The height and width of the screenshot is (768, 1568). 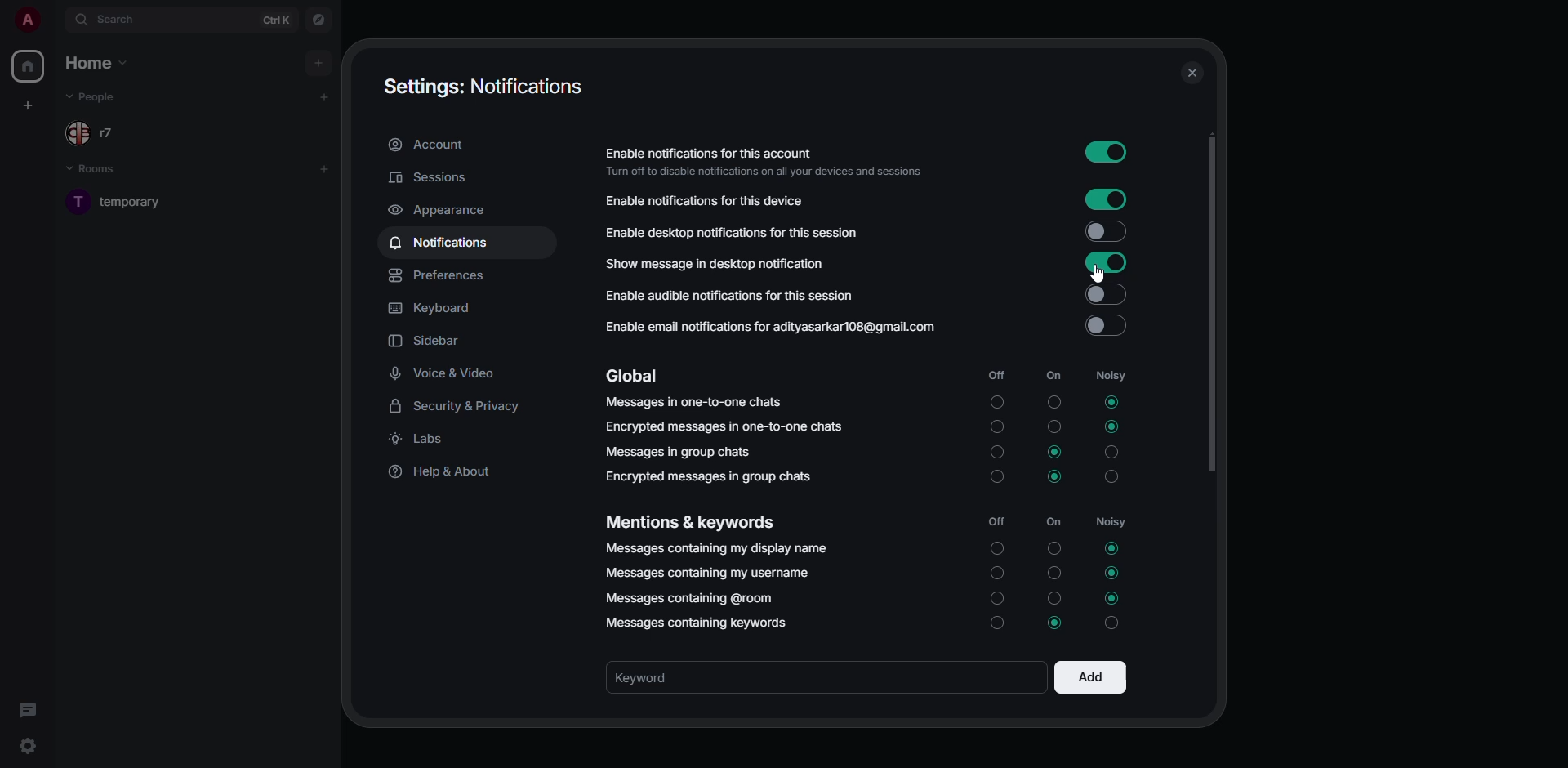 I want to click on off, so click(x=996, y=374).